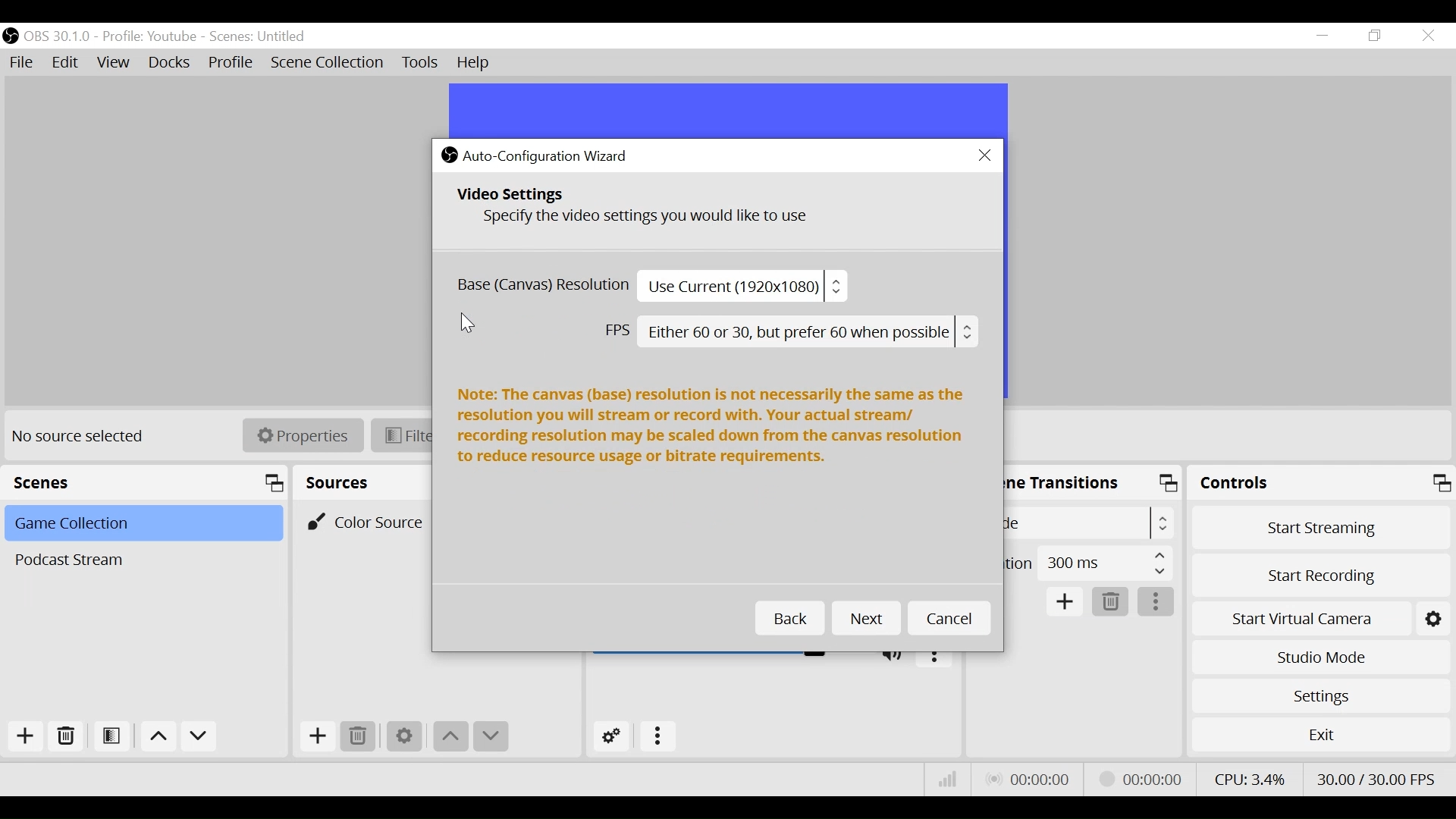 This screenshot has height=819, width=1456. I want to click on move down, so click(492, 738).